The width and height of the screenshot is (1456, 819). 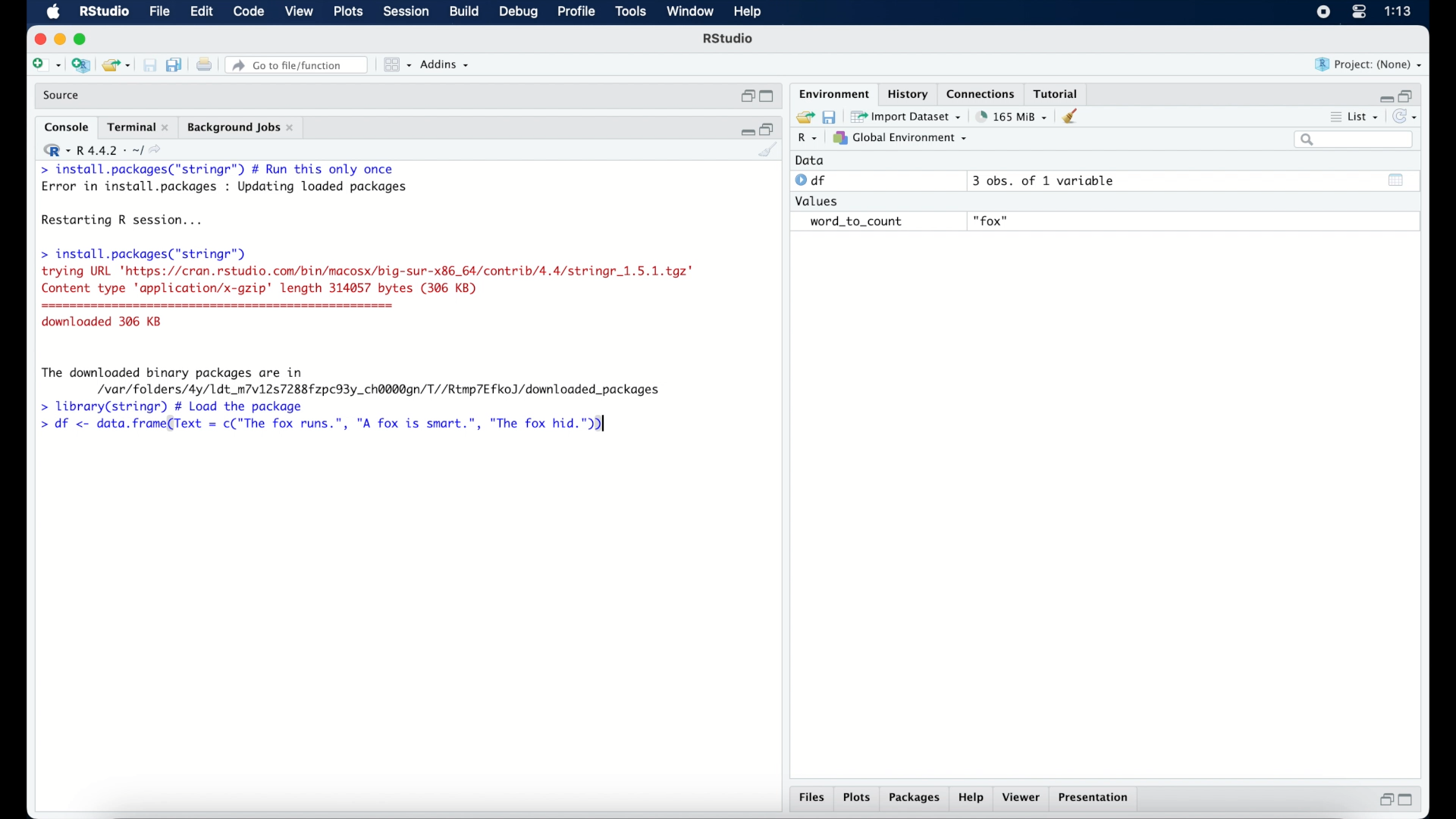 I want to click on list, so click(x=1356, y=118).